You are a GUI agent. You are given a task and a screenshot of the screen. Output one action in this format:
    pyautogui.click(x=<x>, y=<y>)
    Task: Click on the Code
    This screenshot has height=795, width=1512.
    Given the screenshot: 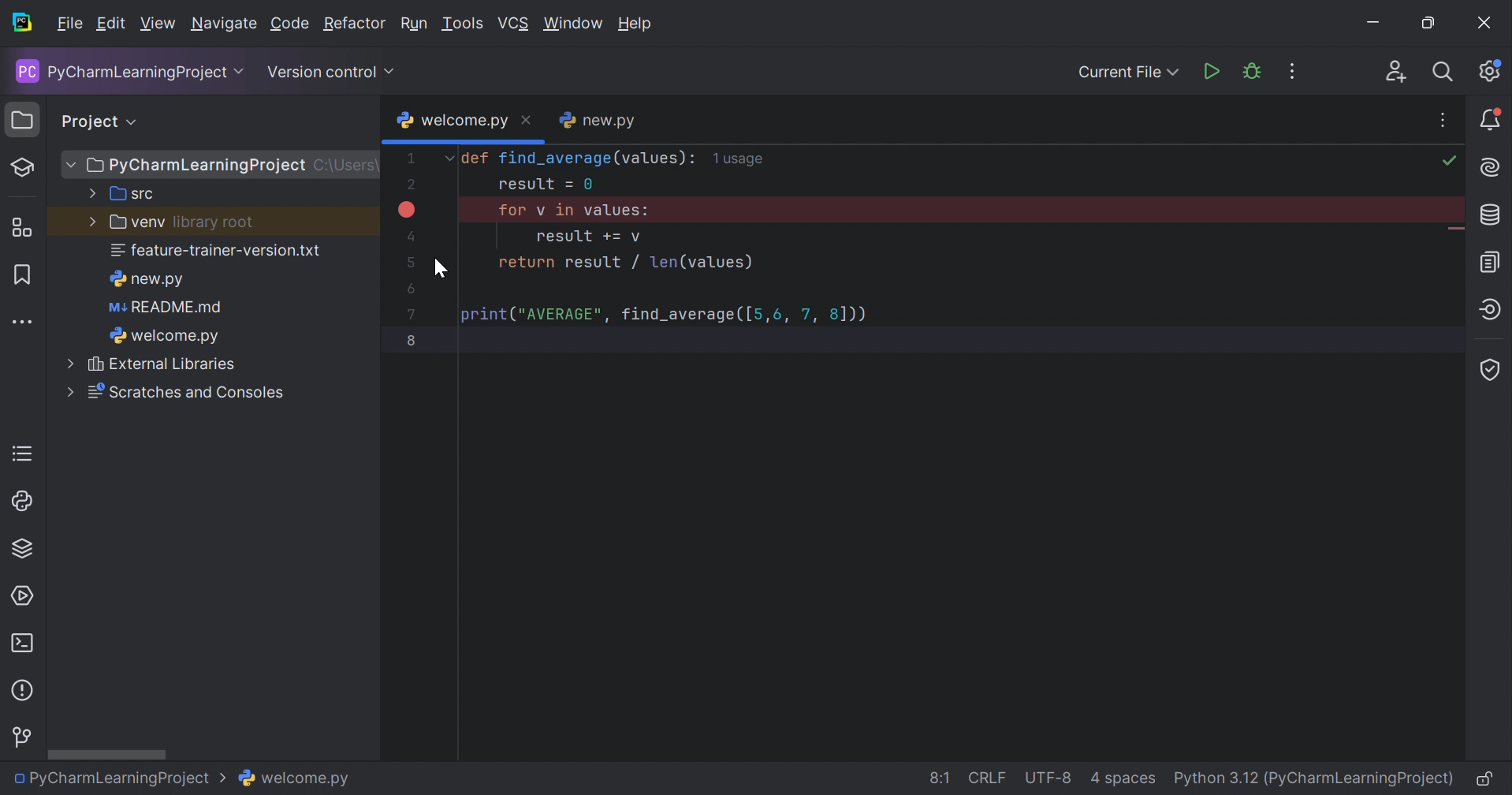 What is the action you would take?
    pyautogui.click(x=289, y=25)
    